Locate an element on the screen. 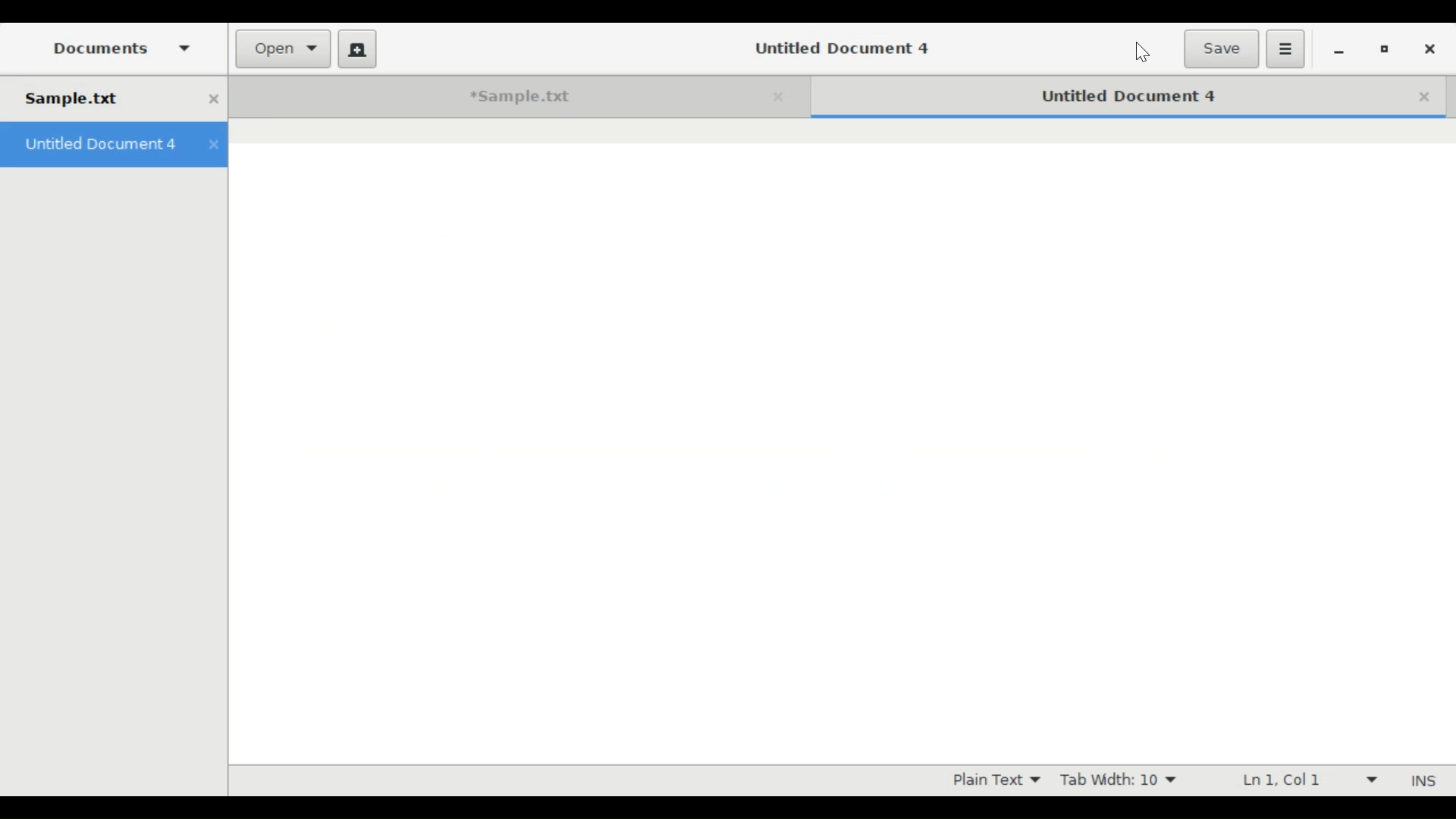 The width and height of the screenshot is (1456, 819). Insert Mode is located at coordinates (1420, 779).